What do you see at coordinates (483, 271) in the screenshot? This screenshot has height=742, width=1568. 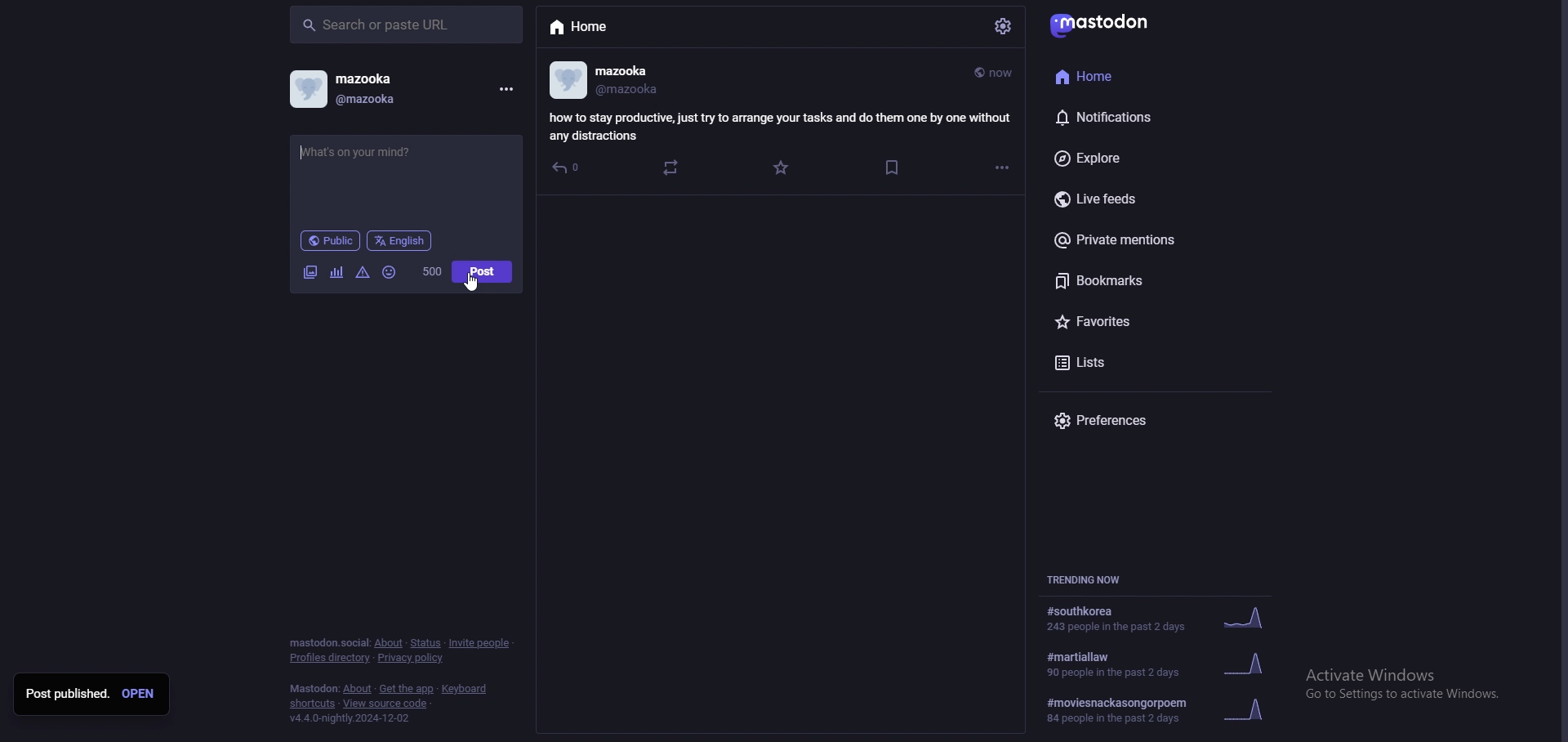 I see `post` at bounding box center [483, 271].